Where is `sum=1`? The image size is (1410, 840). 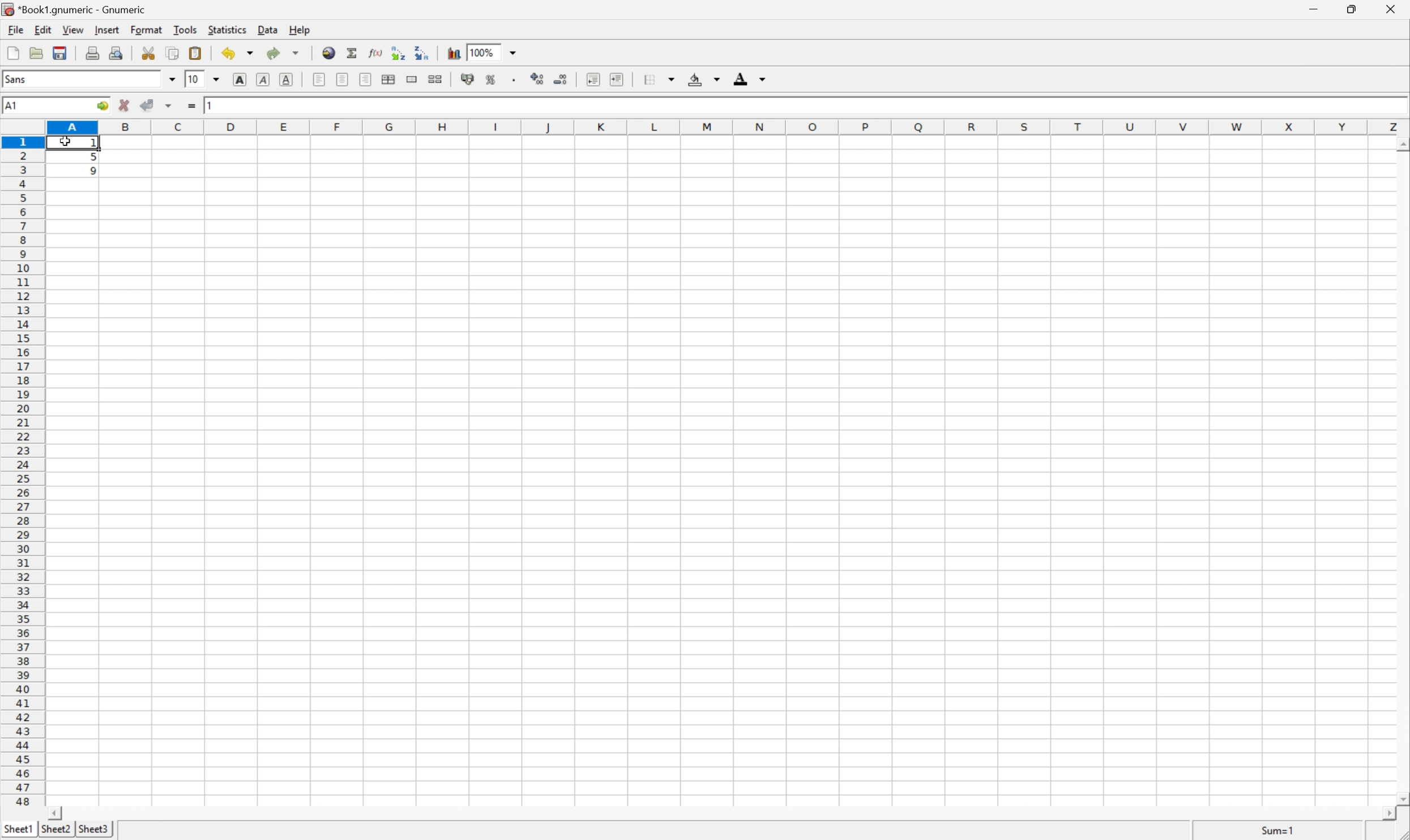
sum=1 is located at coordinates (1280, 833).